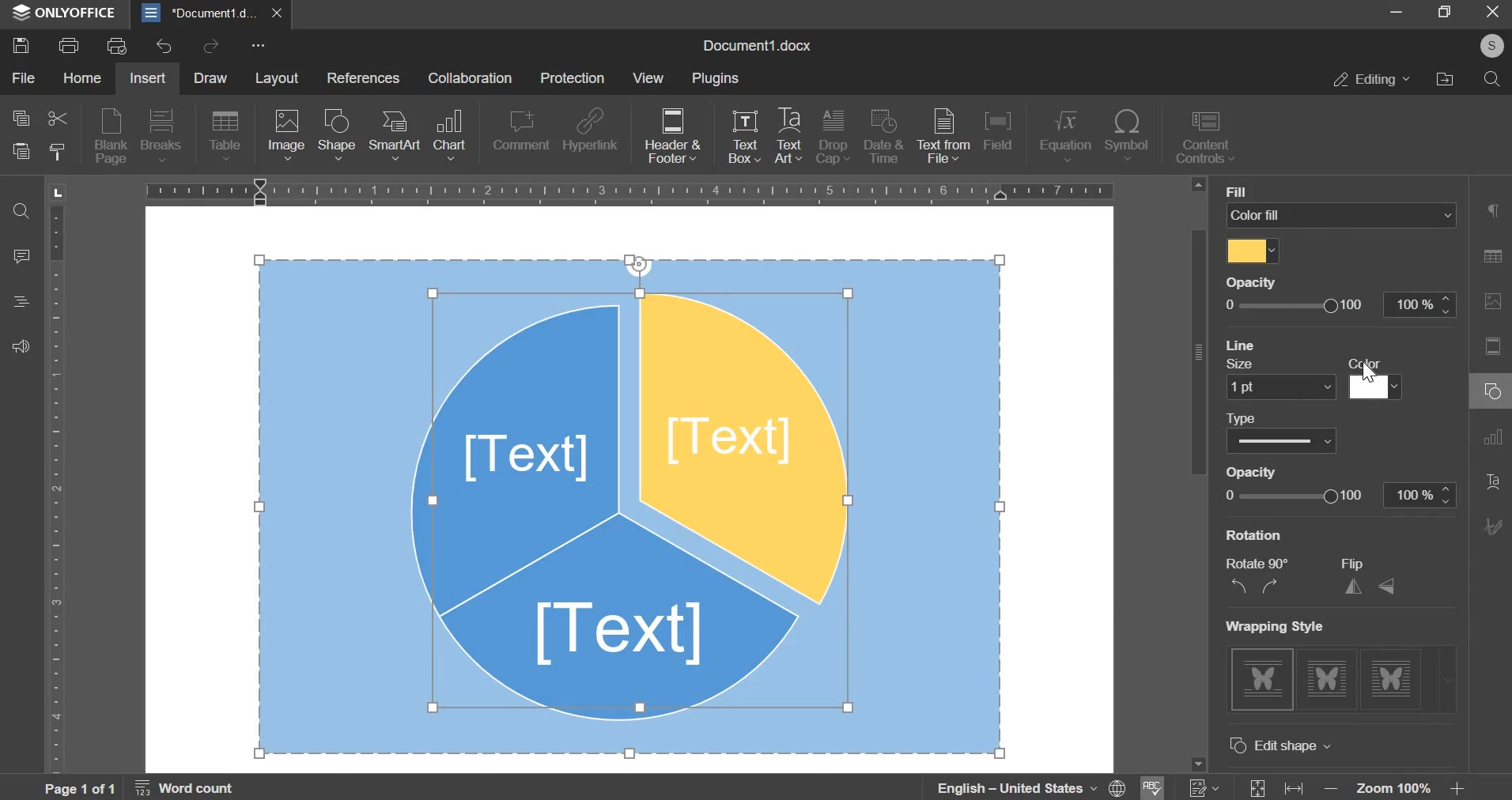 Image resolution: width=1512 pixels, height=800 pixels. Describe the element at coordinates (631, 190) in the screenshot. I see `horizontal scale` at that location.